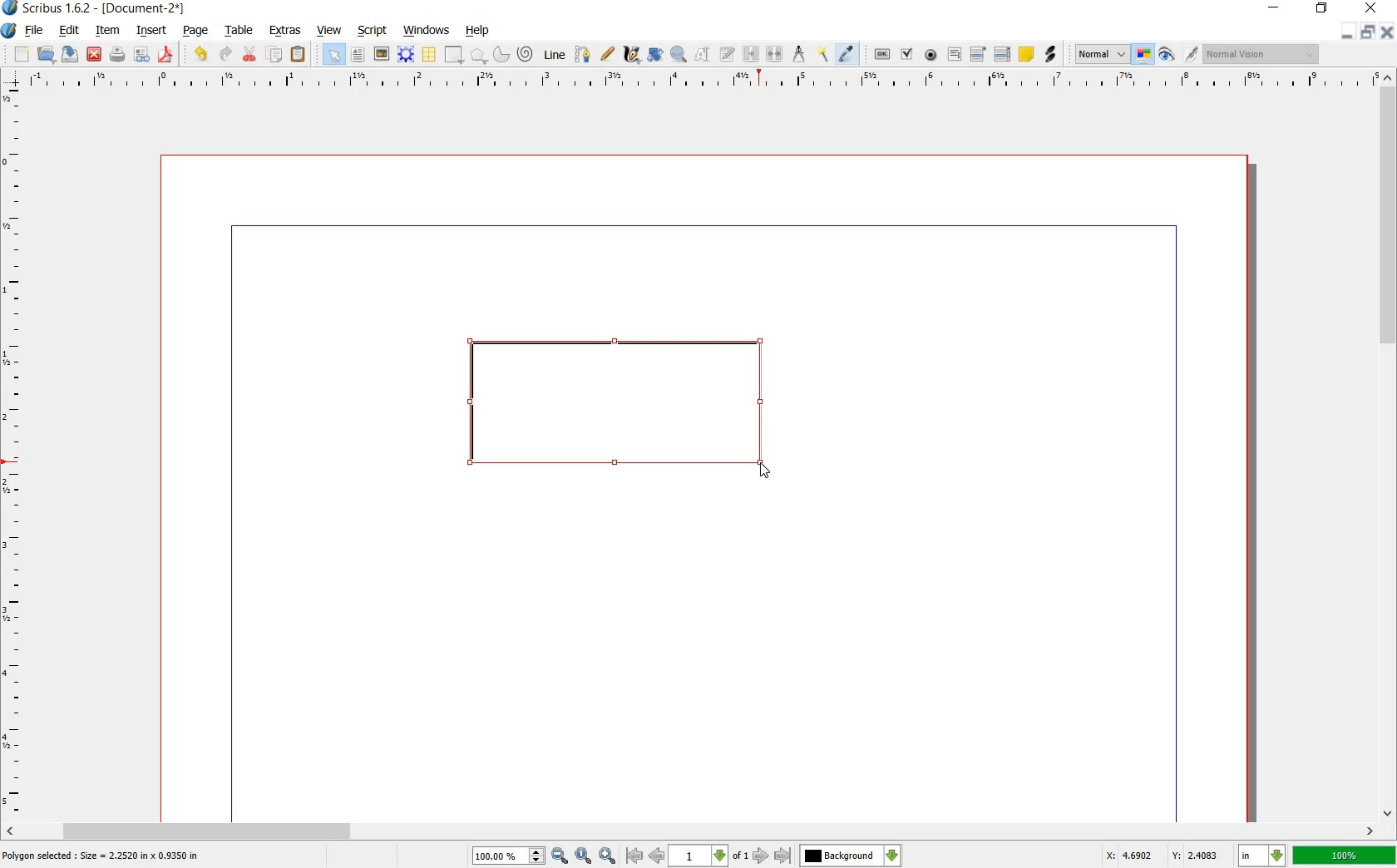 The image size is (1397, 868). Describe the element at coordinates (198, 55) in the screenshot. I see `UNDO` at that location.